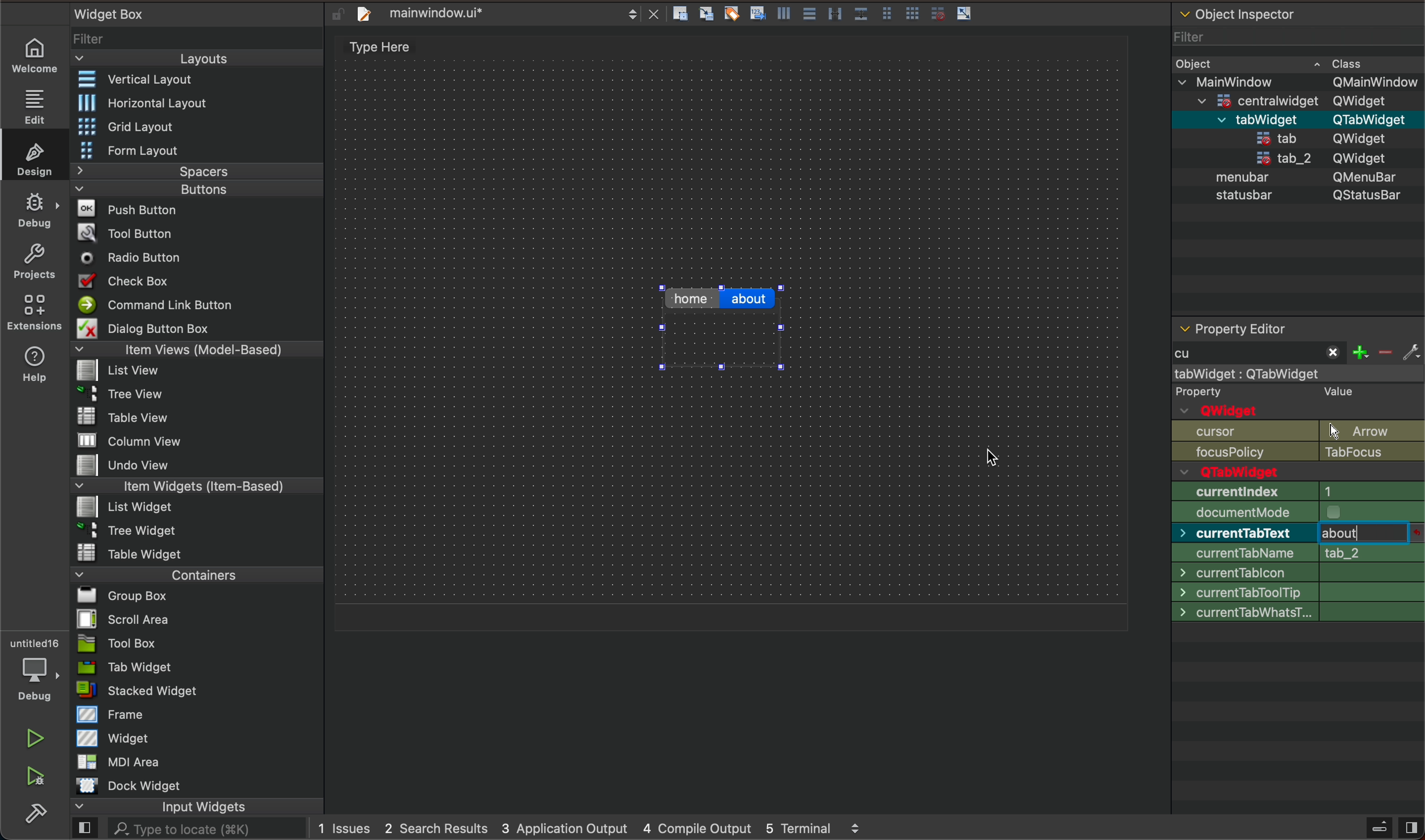 The height and width of the screenshot is (840, 1425). I want to click on run and debuh, so click(42, 777).